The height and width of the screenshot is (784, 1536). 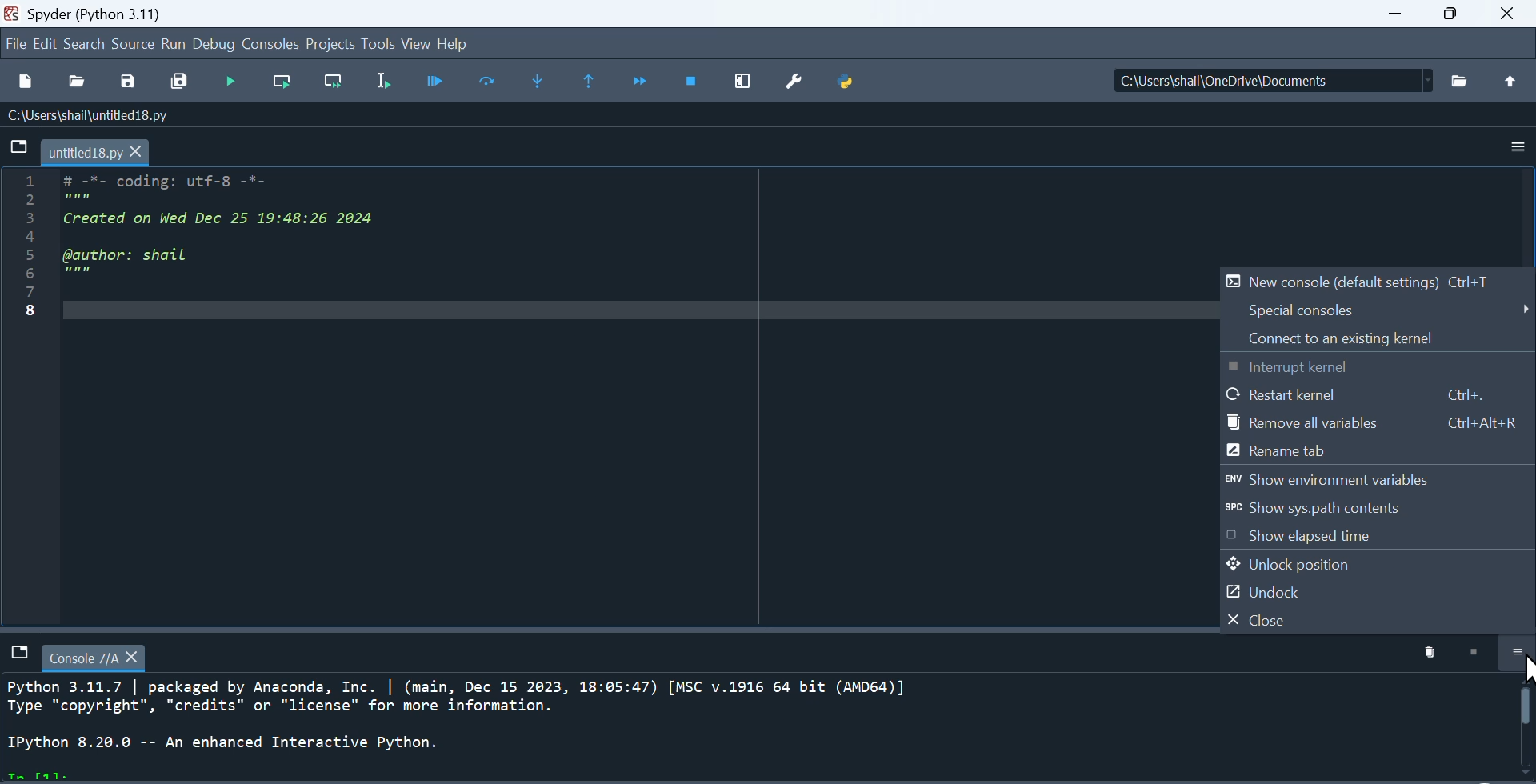 What do you see at coordinates (18, 146) in the screenshot?
I see `tab options` at bounding box center [18, 146].